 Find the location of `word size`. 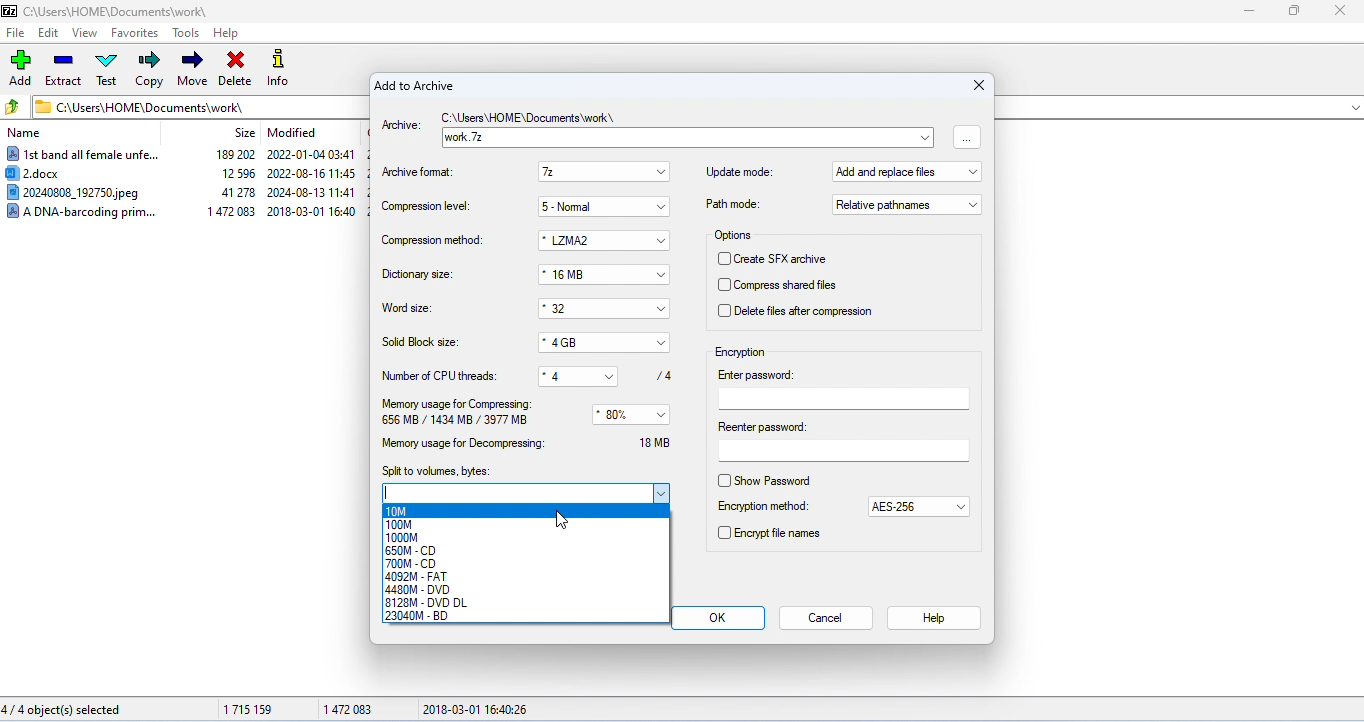

word size is located at coordinates (410, 309).